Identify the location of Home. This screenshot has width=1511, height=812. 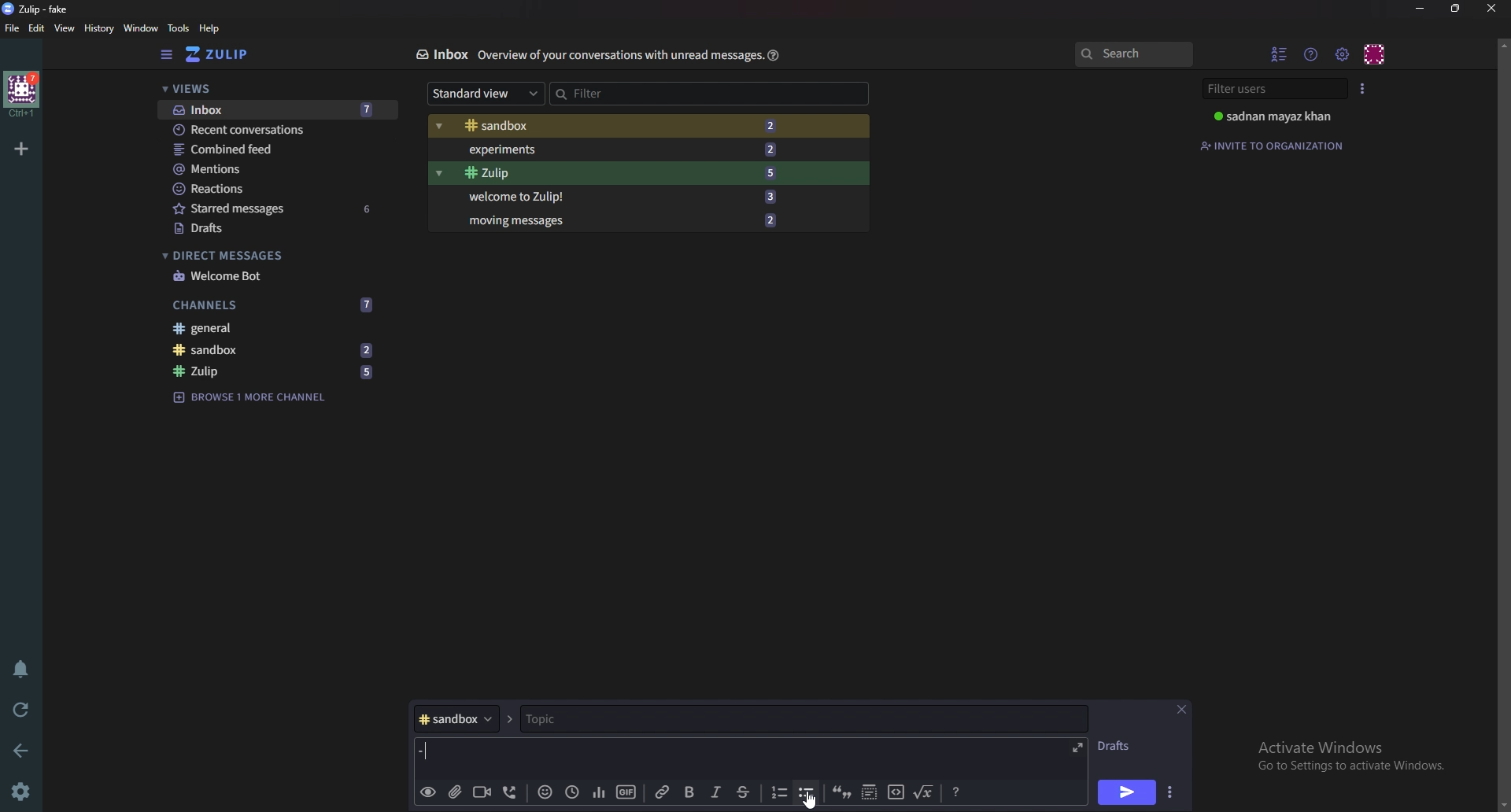
(23, 94).